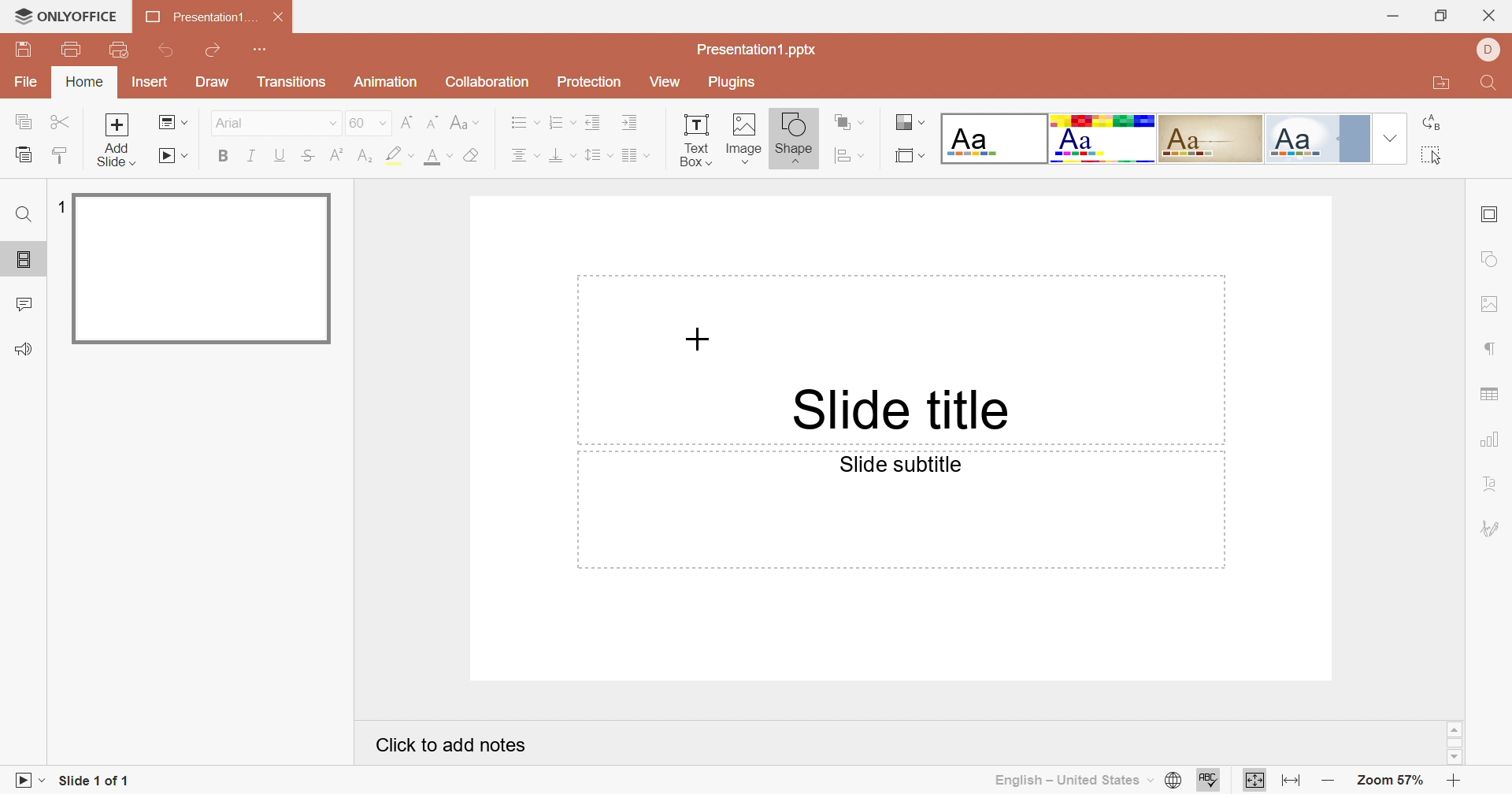 This screenshot has height=794, width=1512. Describe the element at coordinates (1430, 154) in the screenshot. I see `Select all` at that location.